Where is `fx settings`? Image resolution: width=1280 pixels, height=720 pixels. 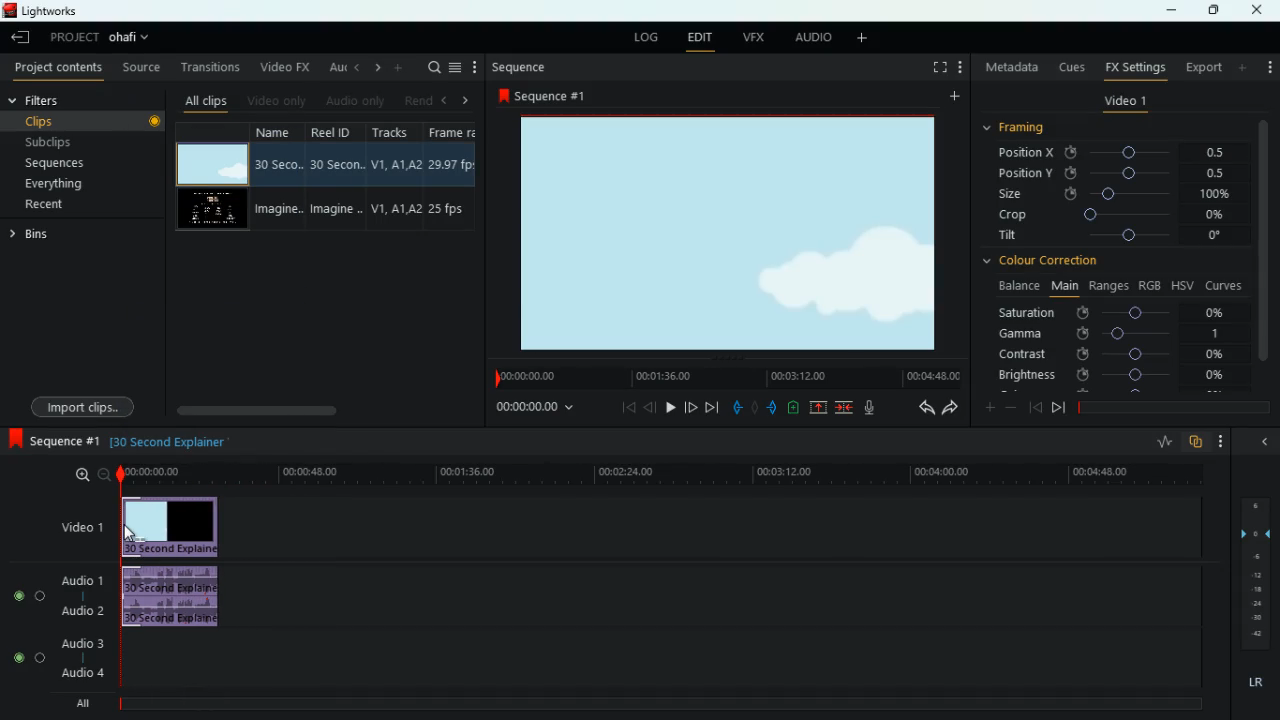 fx settings is located at coordinates (1135, 69).